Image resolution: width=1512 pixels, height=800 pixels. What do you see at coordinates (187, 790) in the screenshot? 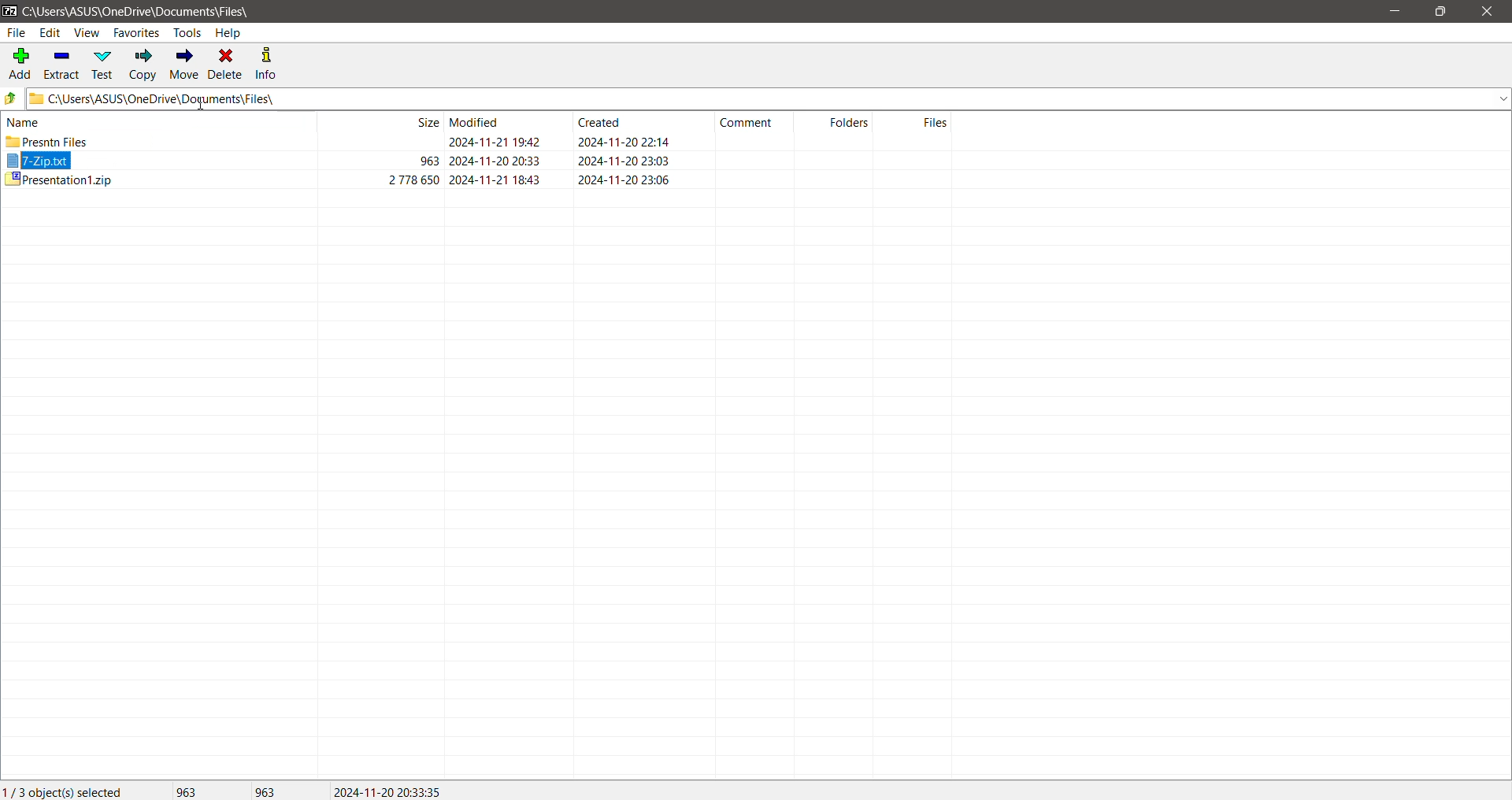
I see `Total Size of selected file(s)` at bounding box center [187, 790].